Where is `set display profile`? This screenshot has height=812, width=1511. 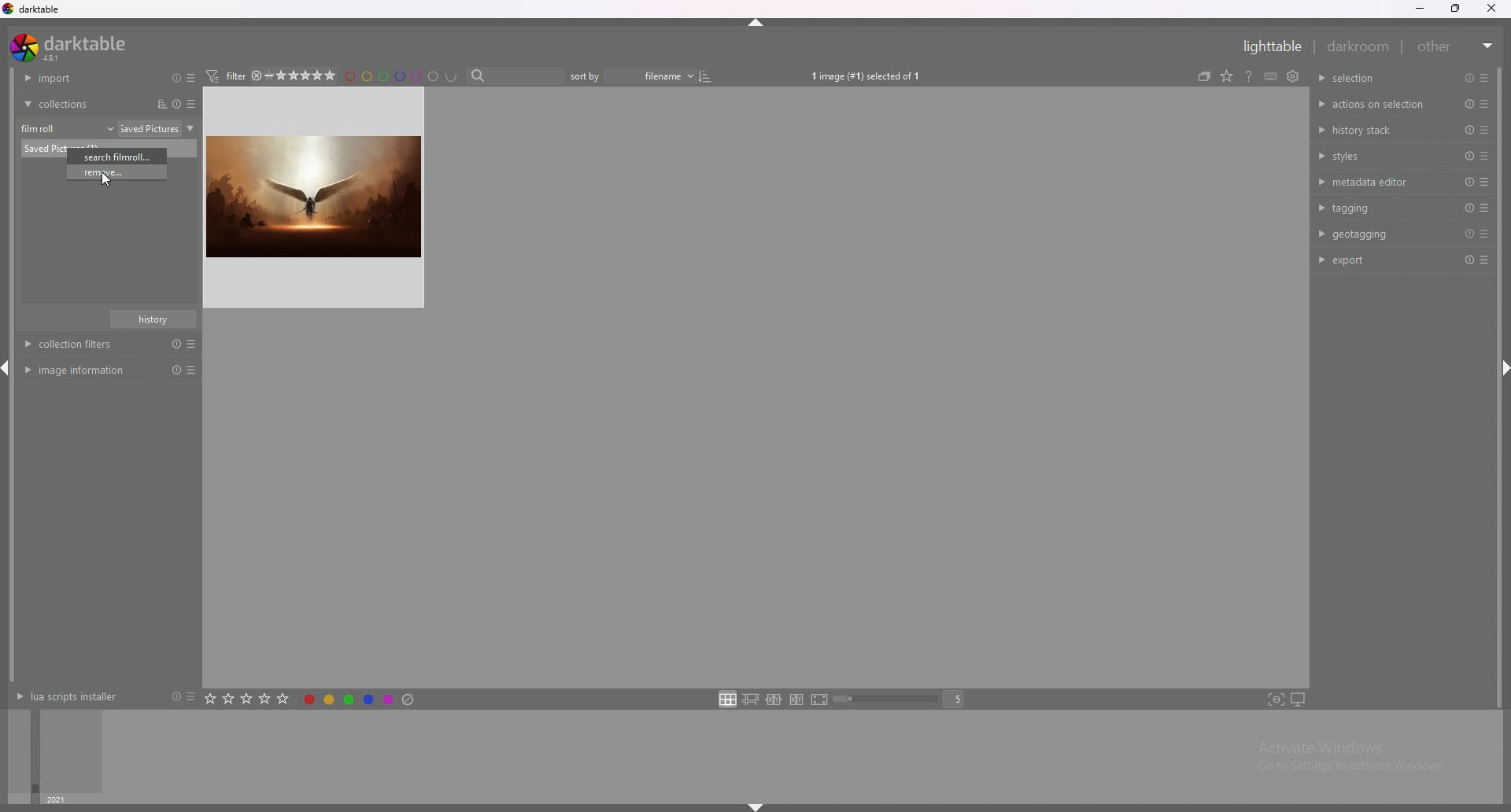 set display profile is located at coordinates (1298, 699).